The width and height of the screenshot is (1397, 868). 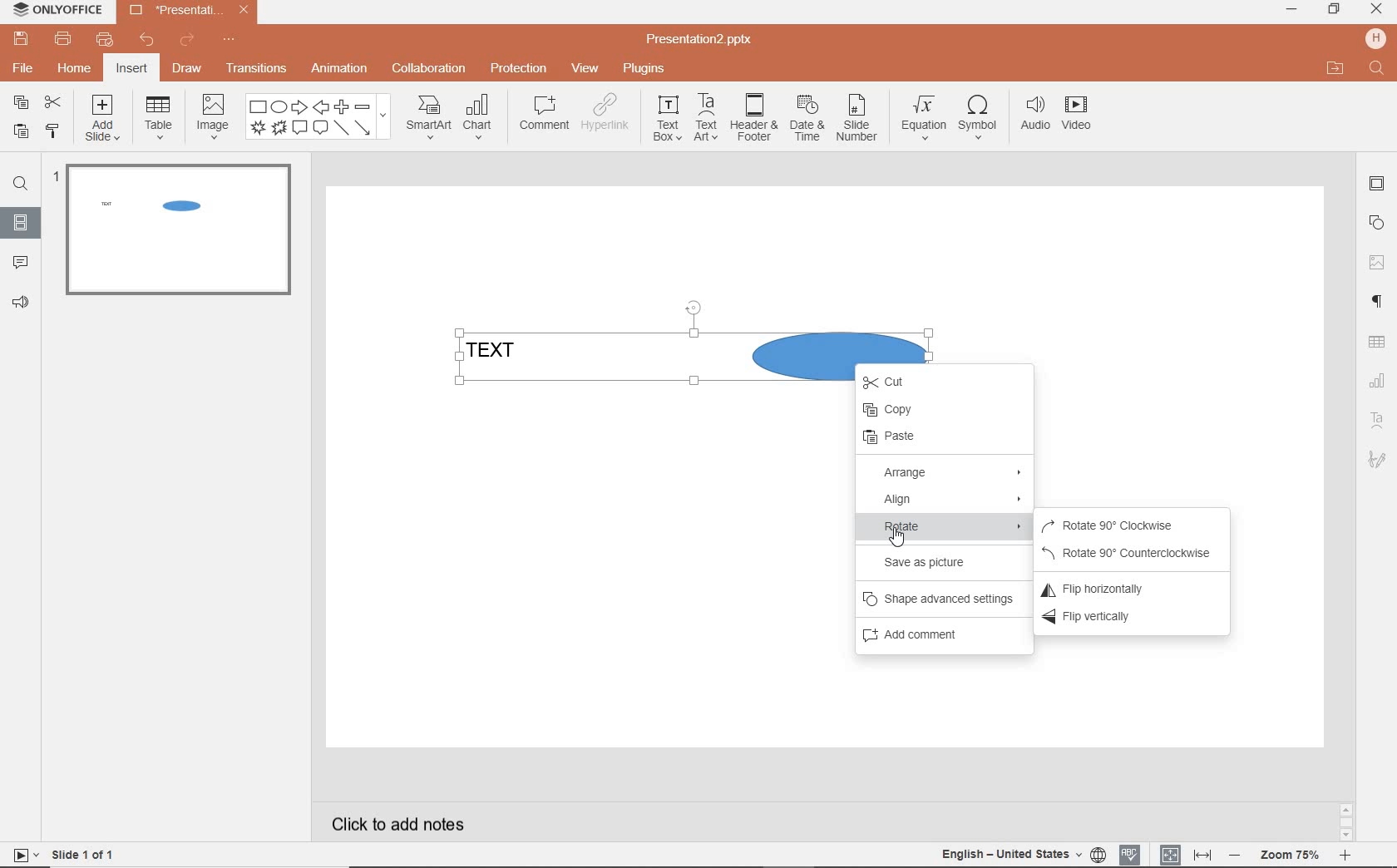 I want to click on insert, so click(x=133, y=69).